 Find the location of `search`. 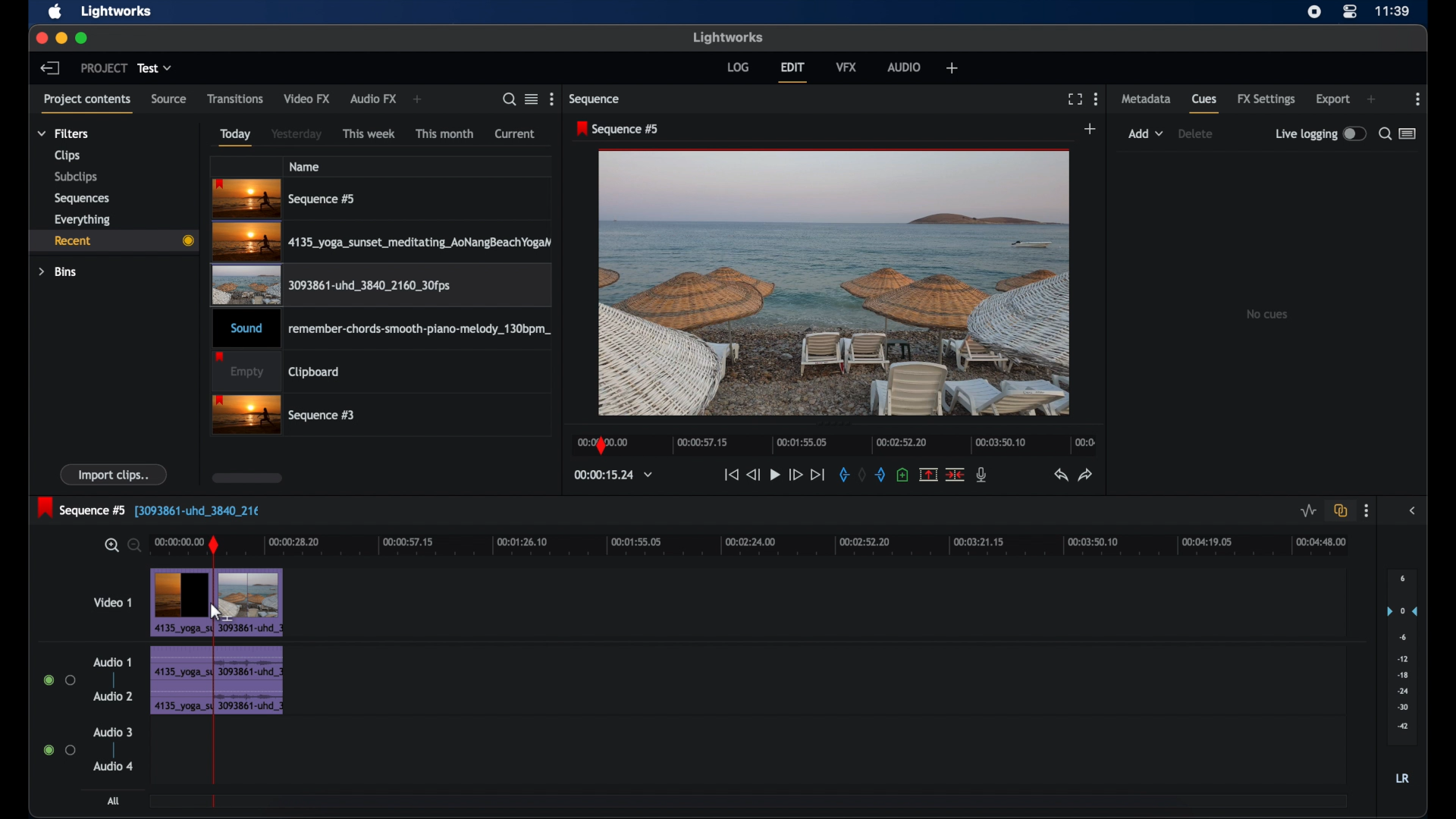

search is located at coordinates (1384, 135).